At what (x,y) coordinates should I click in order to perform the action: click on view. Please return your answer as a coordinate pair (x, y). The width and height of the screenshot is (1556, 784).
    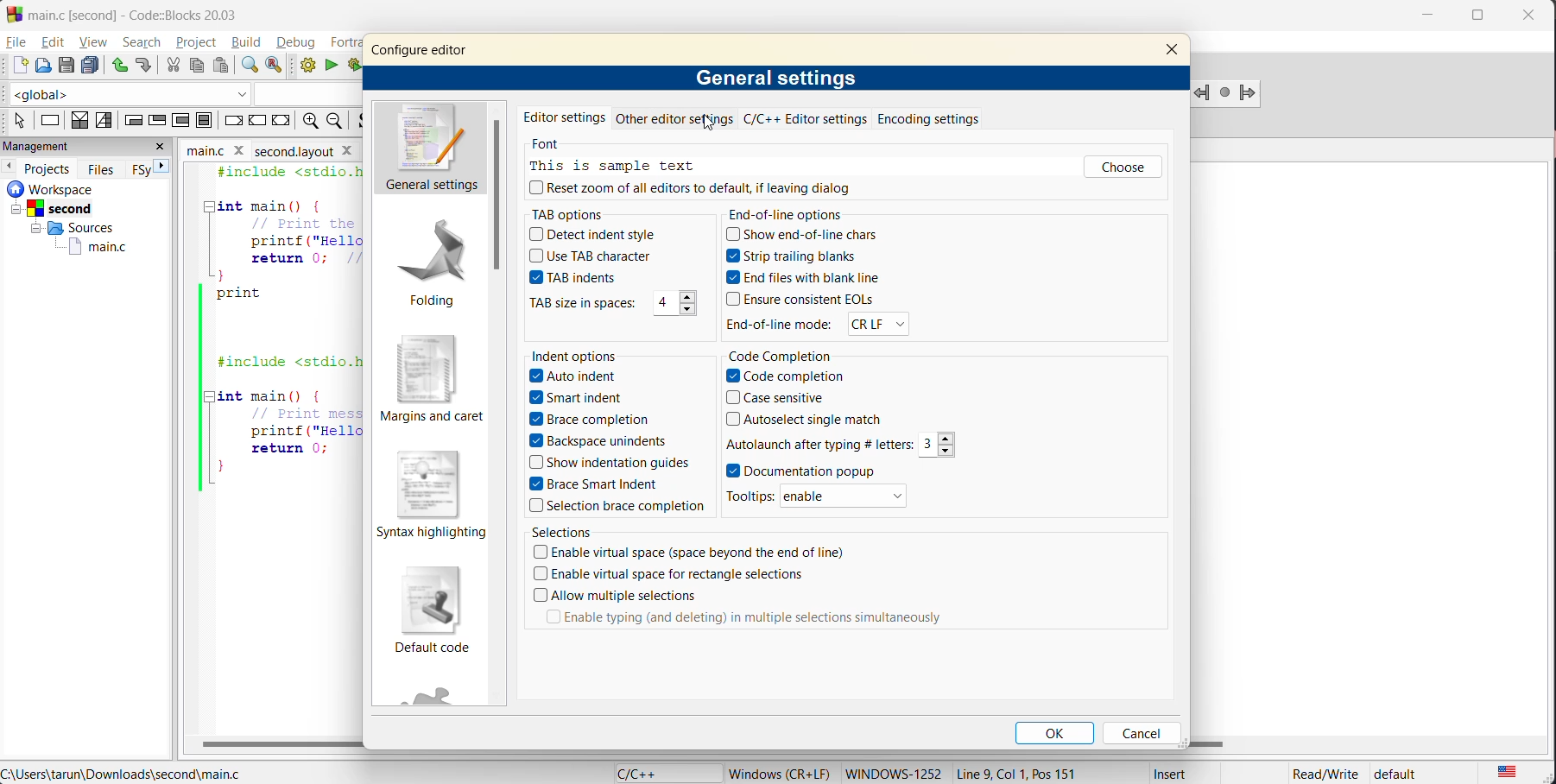
    Looking at the image, I should click on (98, 42).